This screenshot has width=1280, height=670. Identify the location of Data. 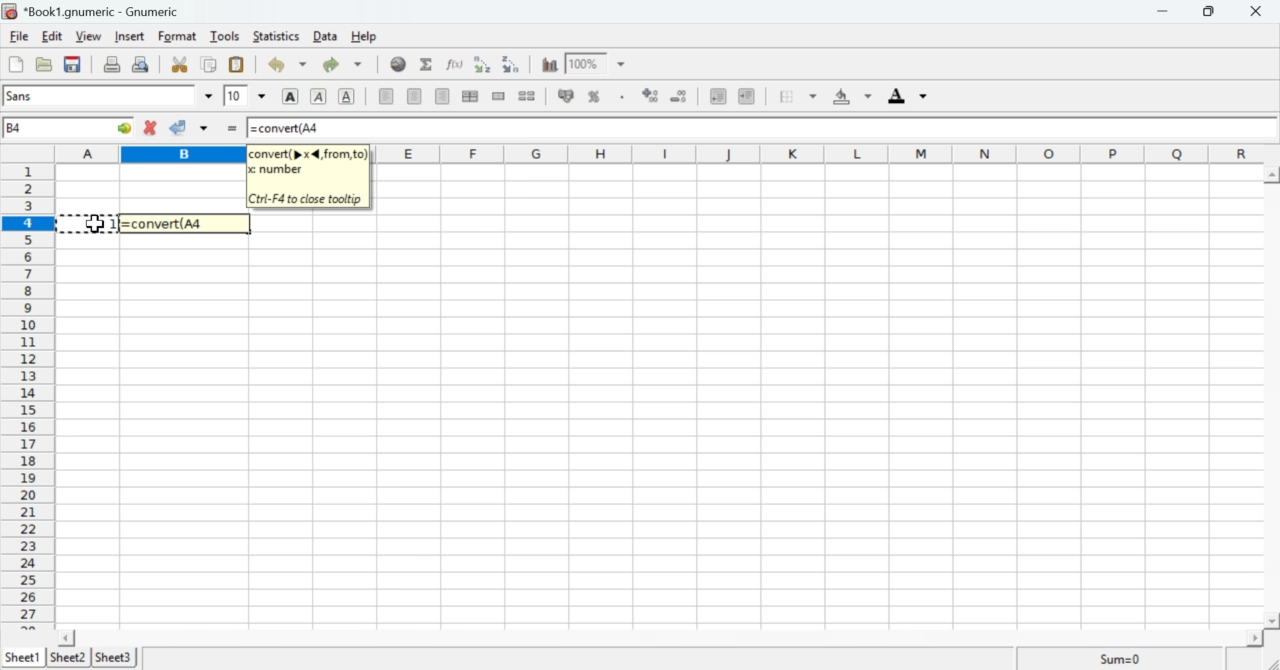
(327, 37).